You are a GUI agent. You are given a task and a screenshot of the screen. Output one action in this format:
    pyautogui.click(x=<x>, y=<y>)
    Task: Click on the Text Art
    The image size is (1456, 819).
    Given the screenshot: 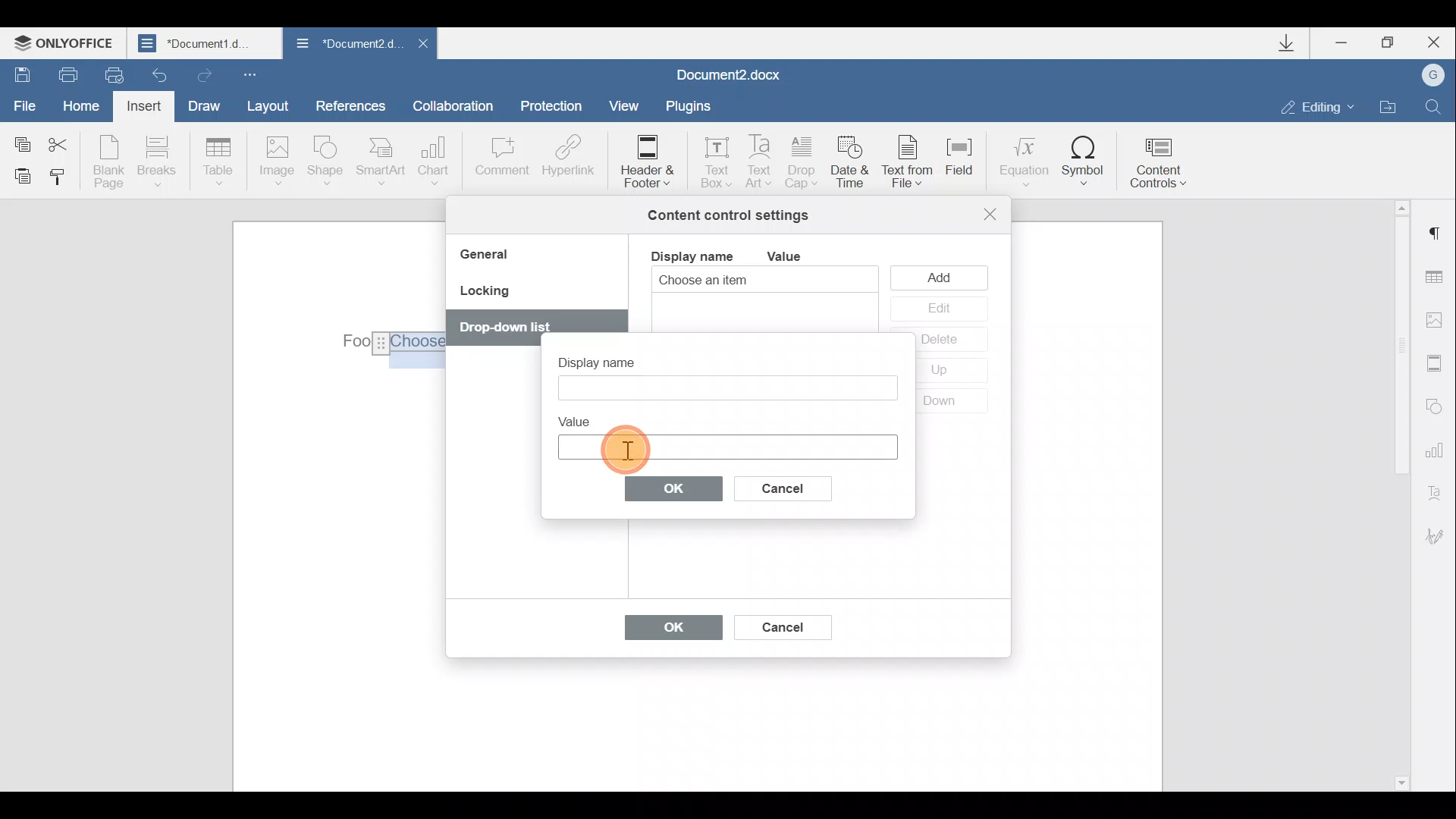 What is the action you would take?
    pyautogui.click(x=761, y=162)
    